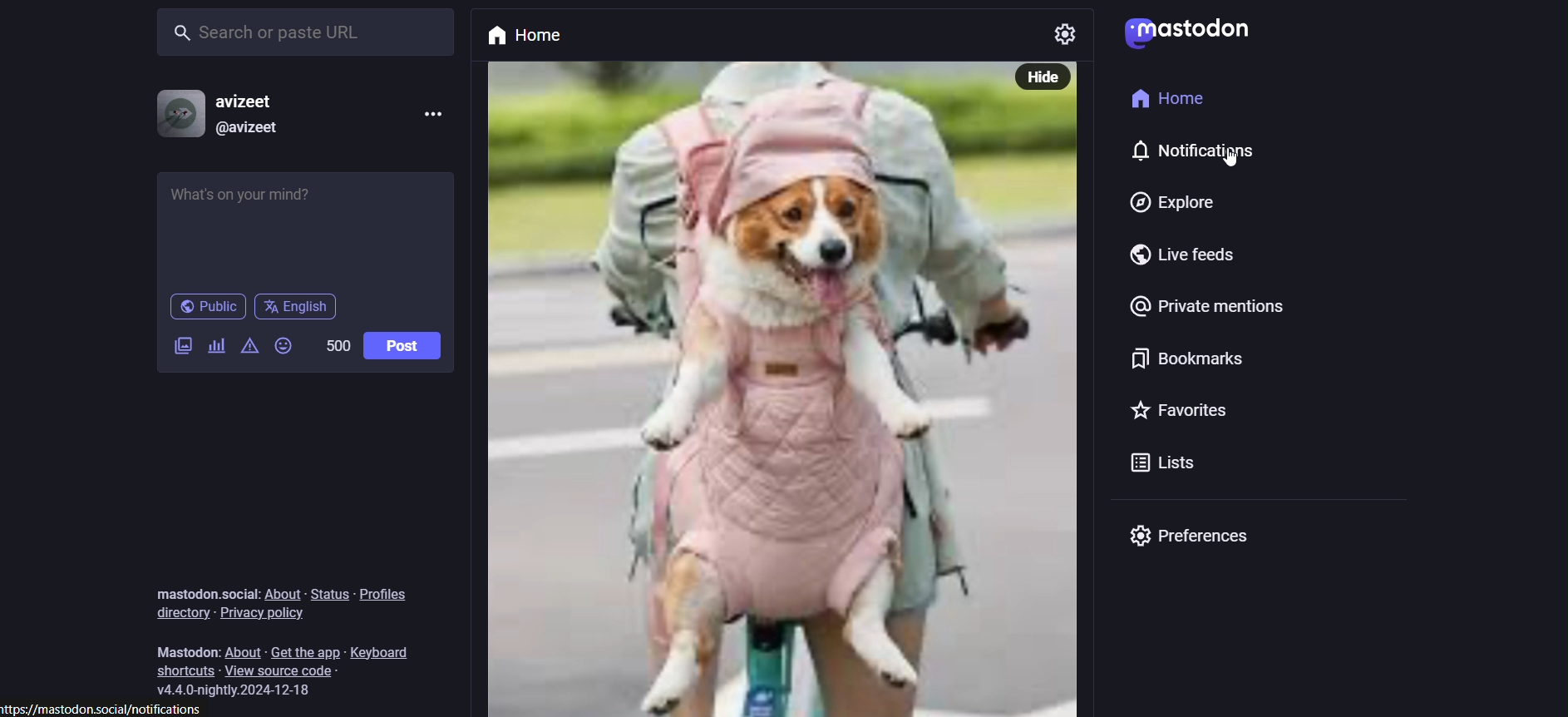 The width and height of the screenshot is (1568, 717). I want to click on language English, so click(309, 306).